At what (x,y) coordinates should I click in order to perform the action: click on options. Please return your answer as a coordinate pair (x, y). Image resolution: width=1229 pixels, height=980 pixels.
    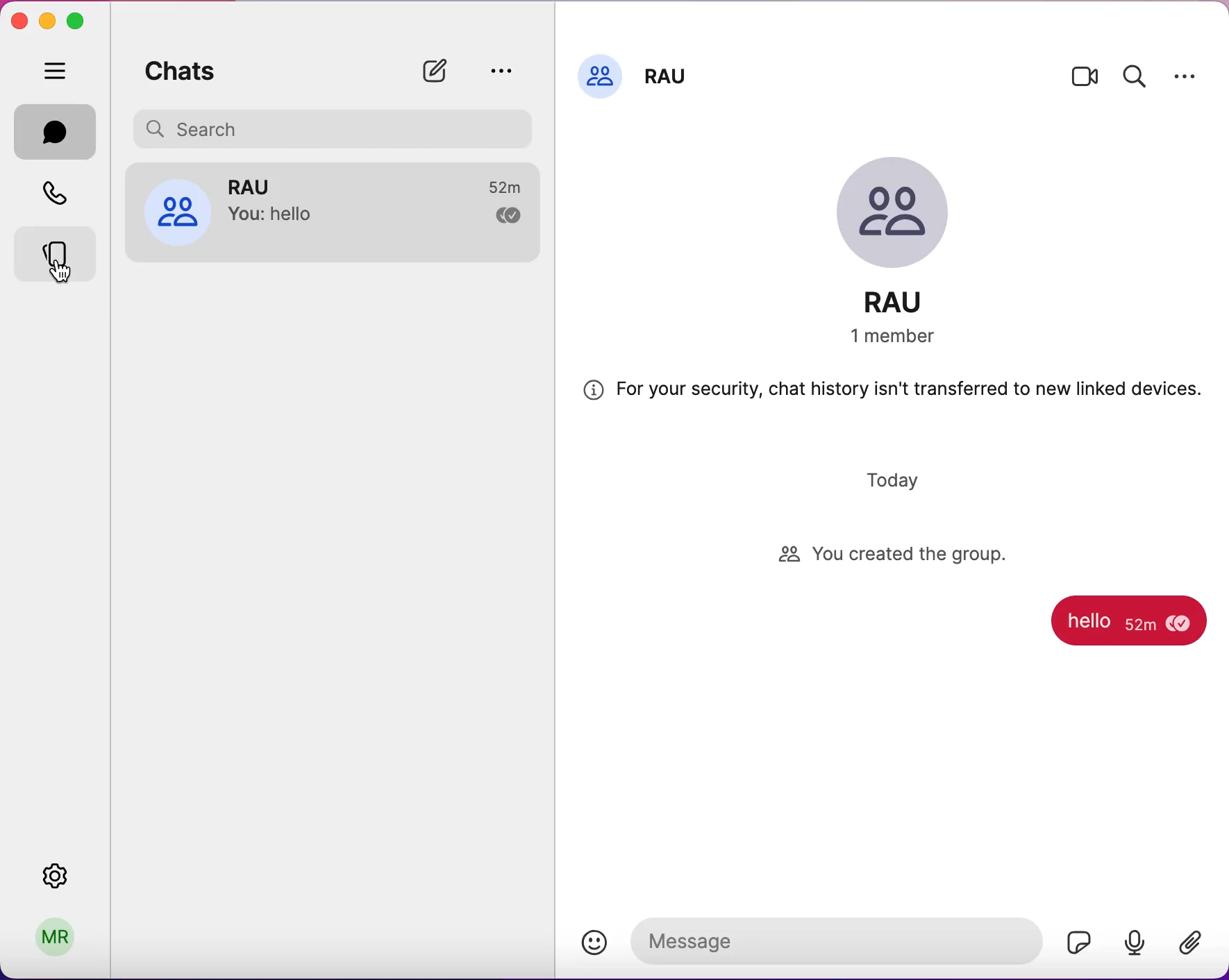
    Looking at the image, I should click on (1193, 76).